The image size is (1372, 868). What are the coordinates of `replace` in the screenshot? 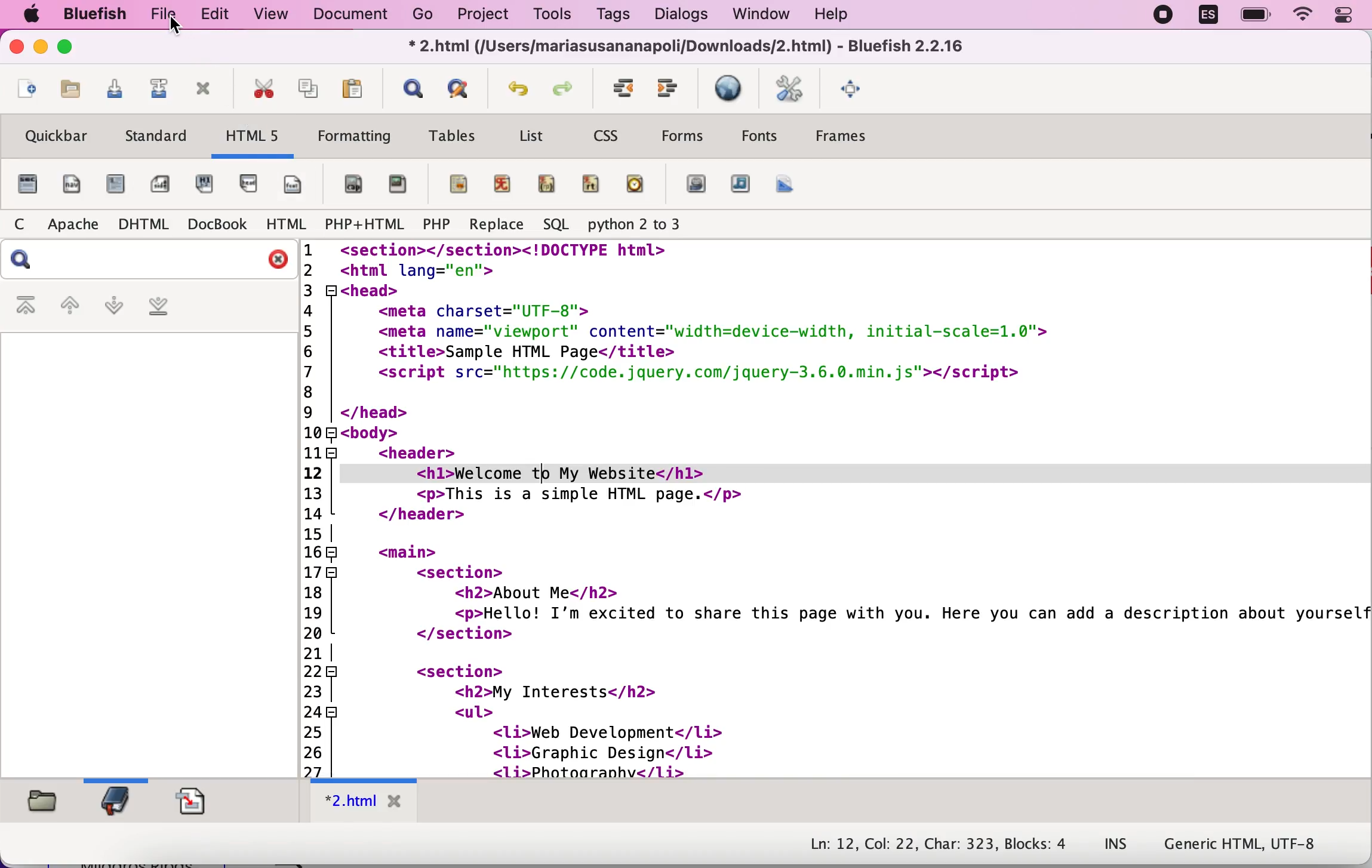 It's located at (494, 225).